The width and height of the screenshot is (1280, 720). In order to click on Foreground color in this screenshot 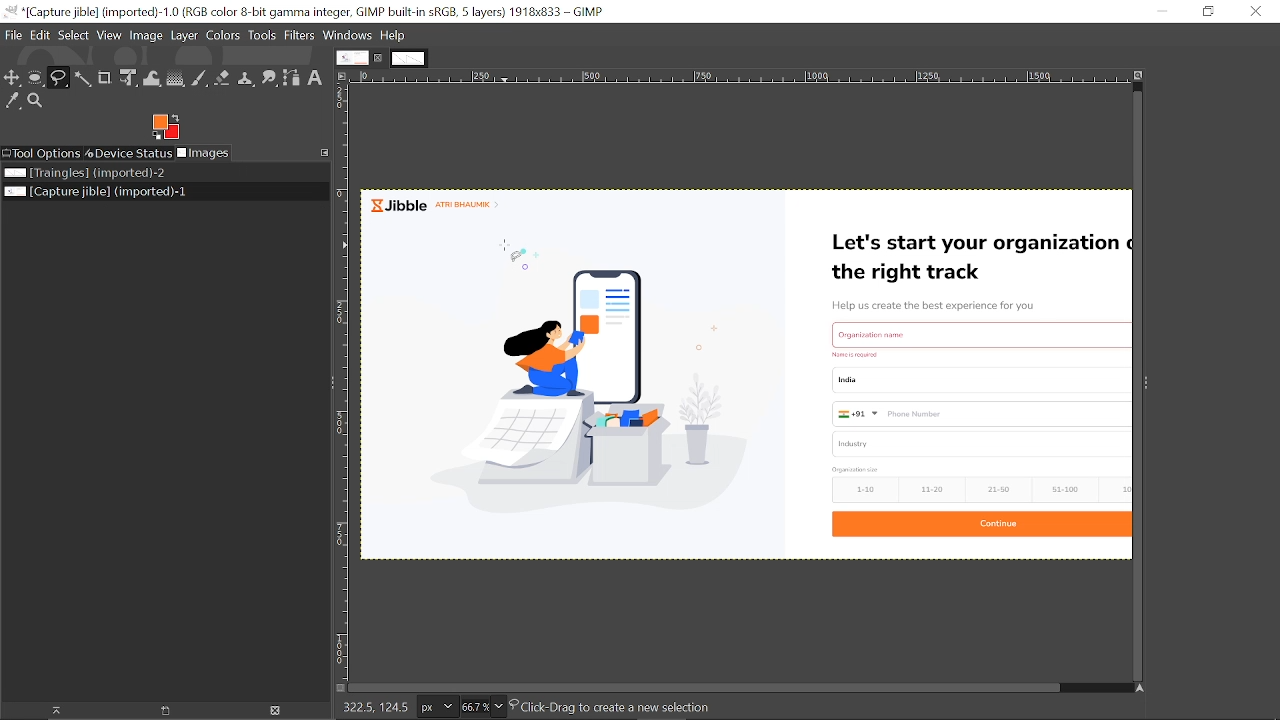, I will do `click(166, 127)`.